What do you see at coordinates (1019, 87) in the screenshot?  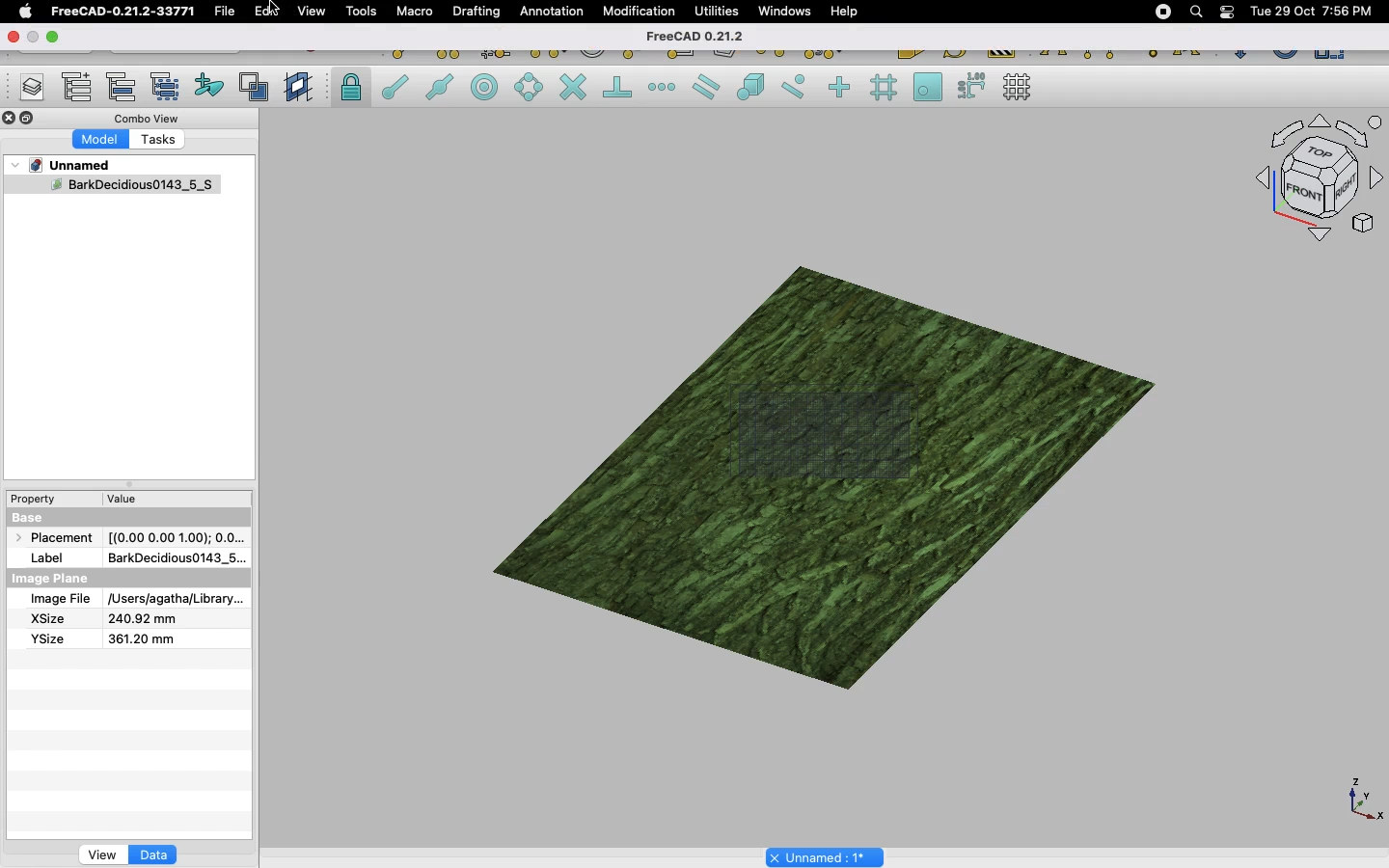 I see `Toggle grid` at bounding box center [1019, 87].